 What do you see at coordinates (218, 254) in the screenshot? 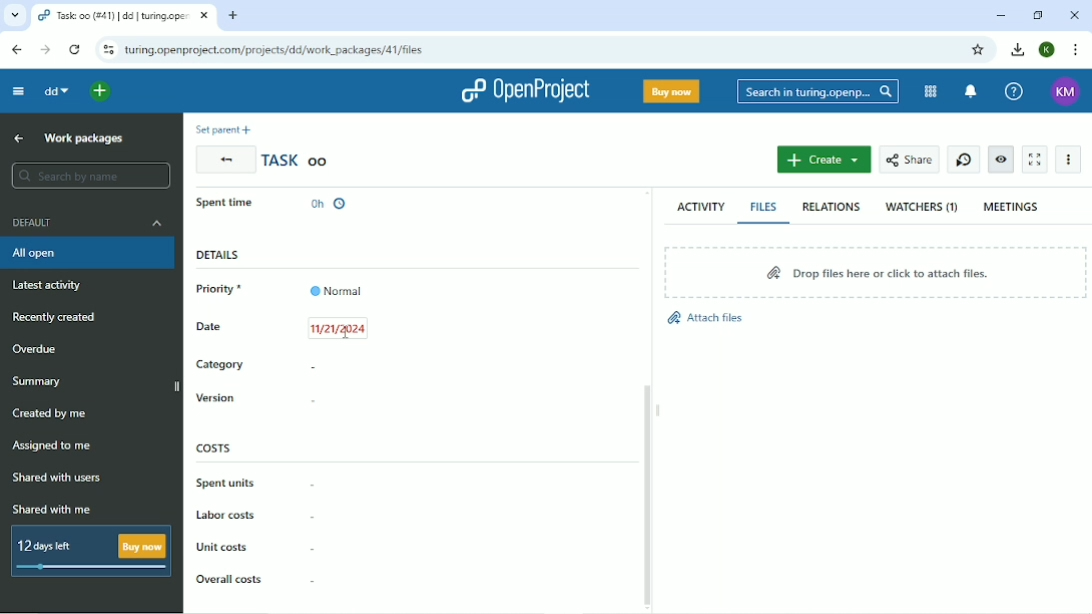
I see `Details` at bounding box center [218, 254].